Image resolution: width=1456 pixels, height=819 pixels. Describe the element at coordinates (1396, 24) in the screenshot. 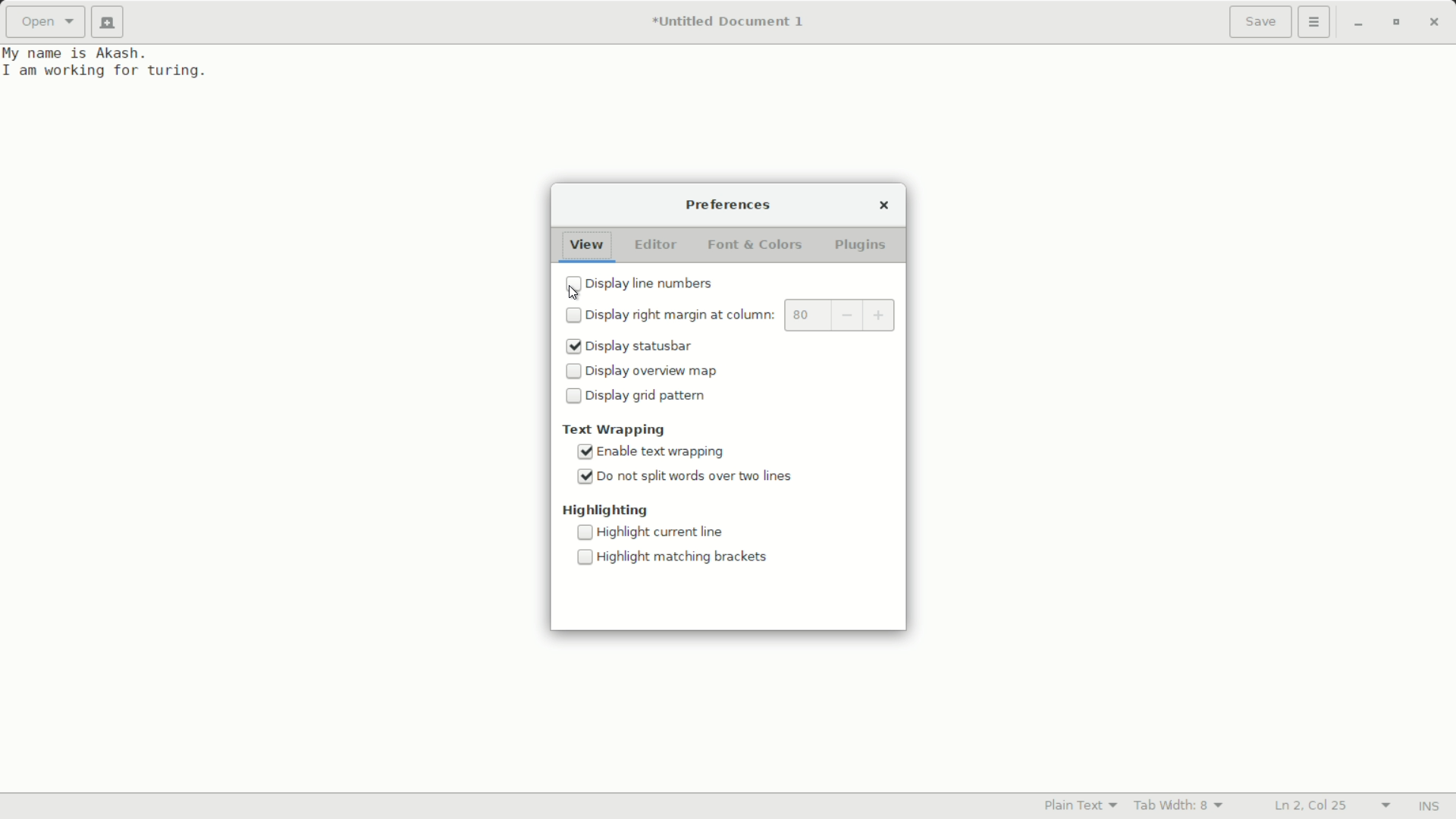

I see `maximize or restore` at that location.